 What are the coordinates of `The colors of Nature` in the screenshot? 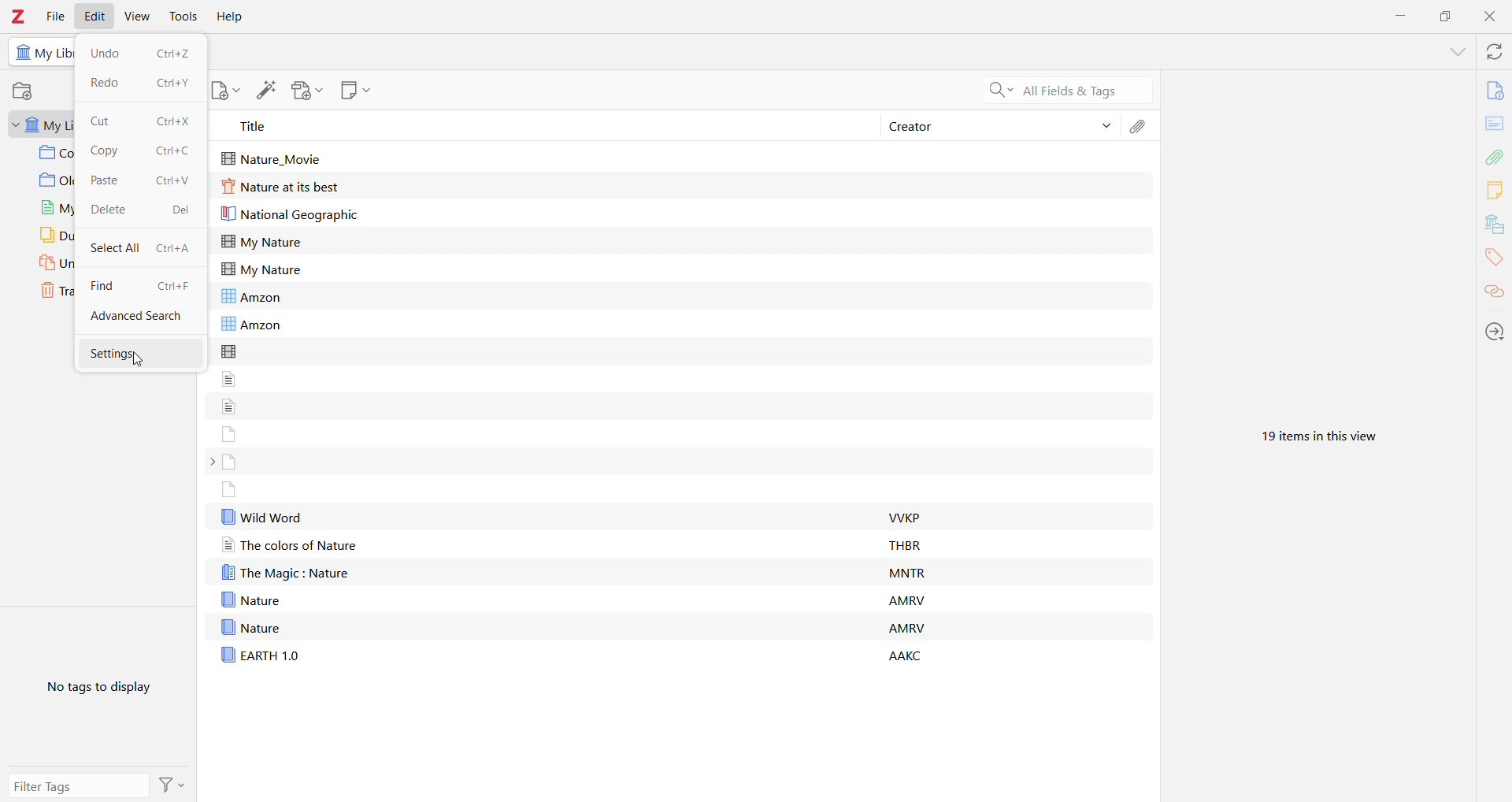 It's located at (290, 546).